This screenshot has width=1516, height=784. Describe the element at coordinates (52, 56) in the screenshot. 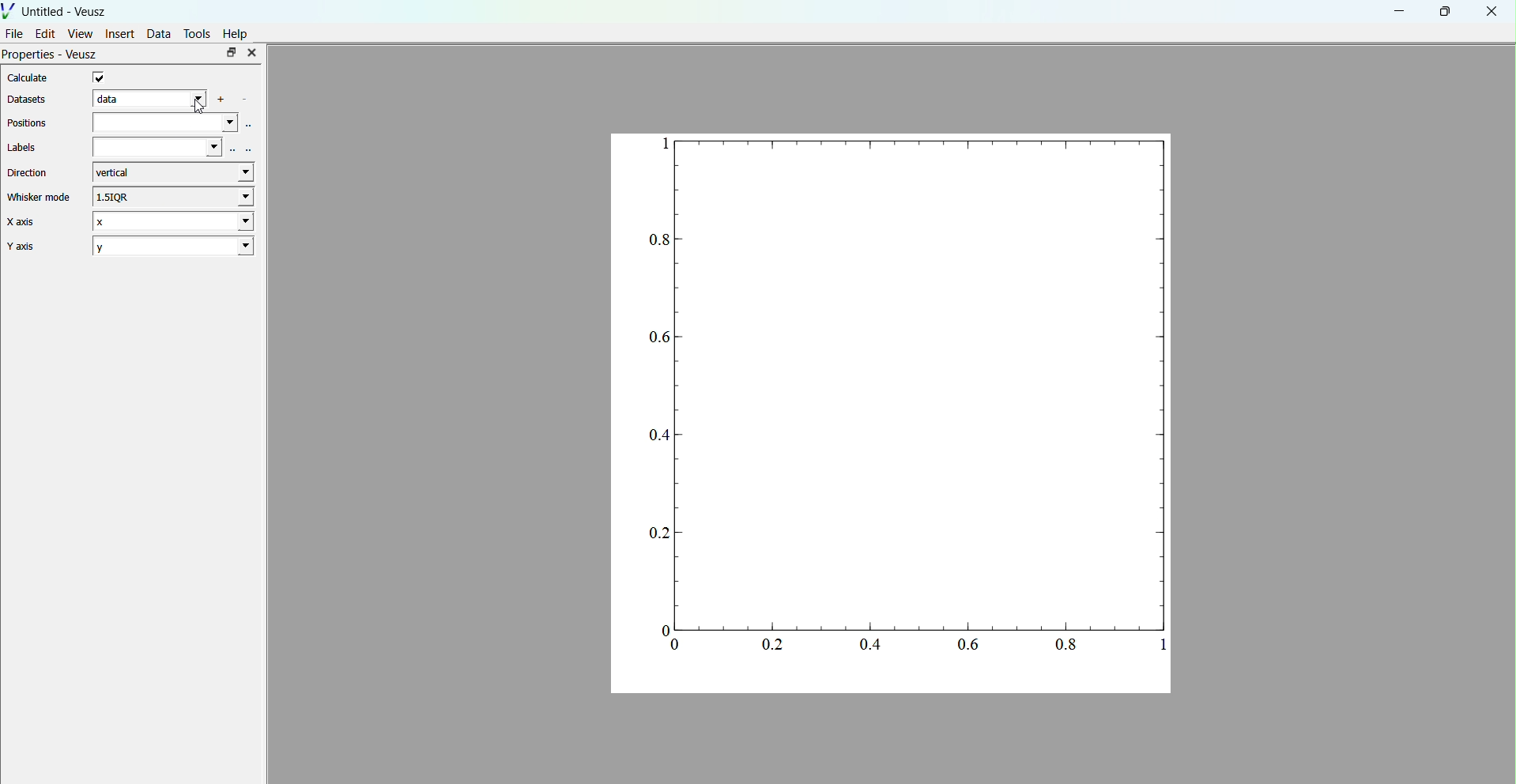

I see `Properties - Veusz` at that location.